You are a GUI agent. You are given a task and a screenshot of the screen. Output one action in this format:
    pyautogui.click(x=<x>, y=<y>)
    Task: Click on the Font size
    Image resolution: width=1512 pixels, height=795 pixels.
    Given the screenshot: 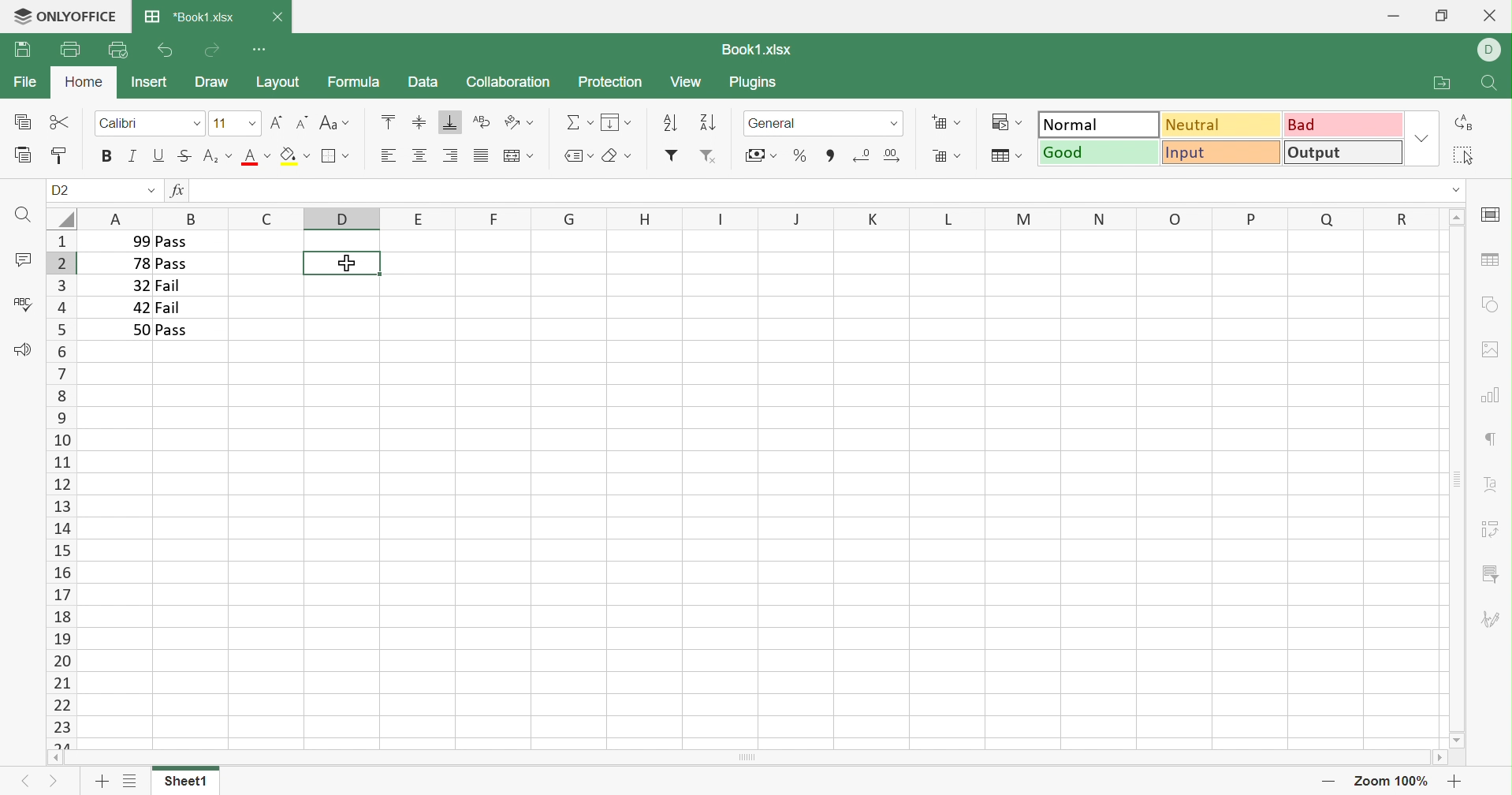 What is the action you would take?
    pyautogui.click(x=234, y=123)
    